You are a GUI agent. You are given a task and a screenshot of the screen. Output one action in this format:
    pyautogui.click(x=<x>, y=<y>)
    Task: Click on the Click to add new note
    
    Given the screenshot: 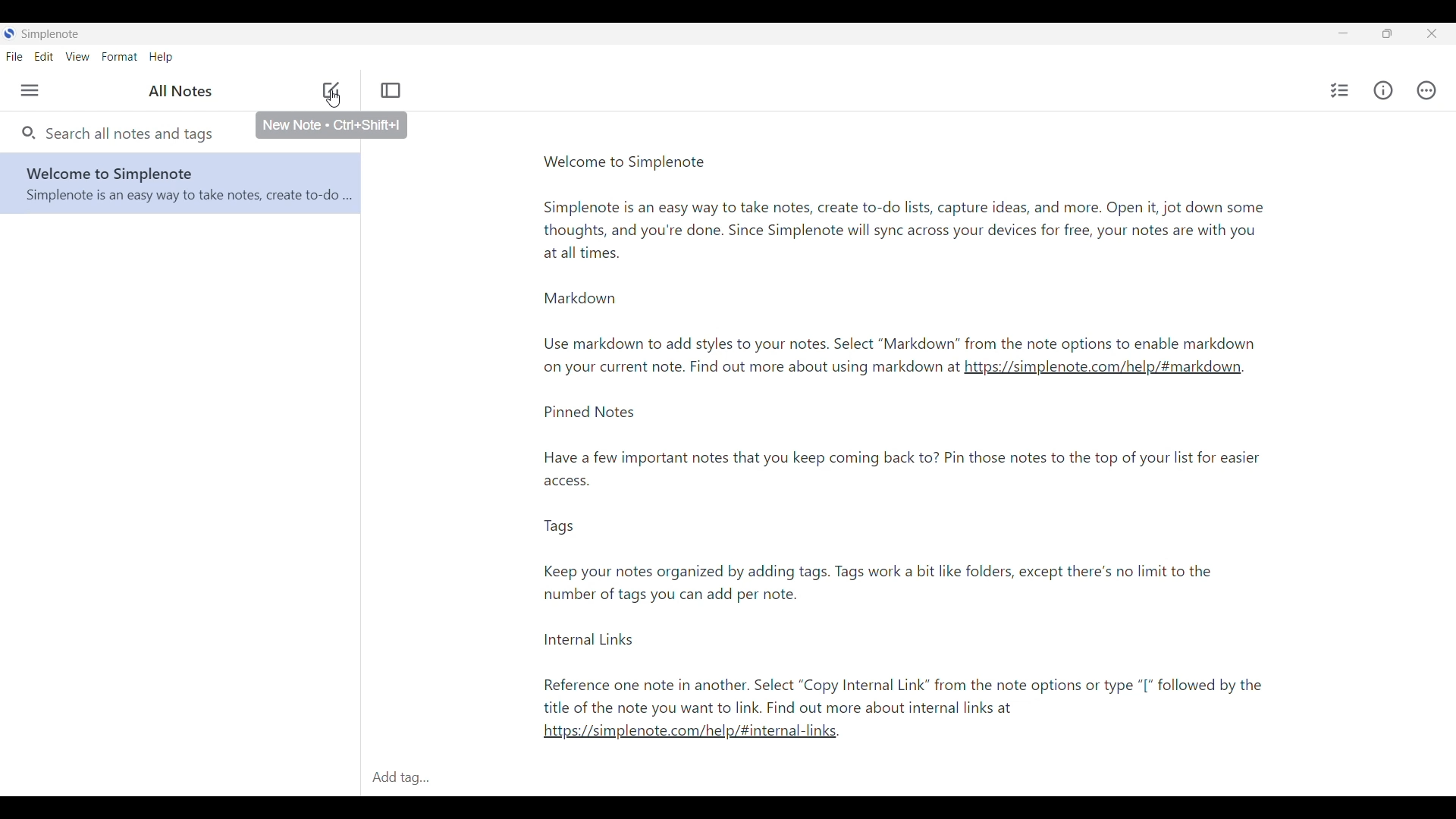 What is the action you would take?
    pyautogui.click(x=331, y=89)
    